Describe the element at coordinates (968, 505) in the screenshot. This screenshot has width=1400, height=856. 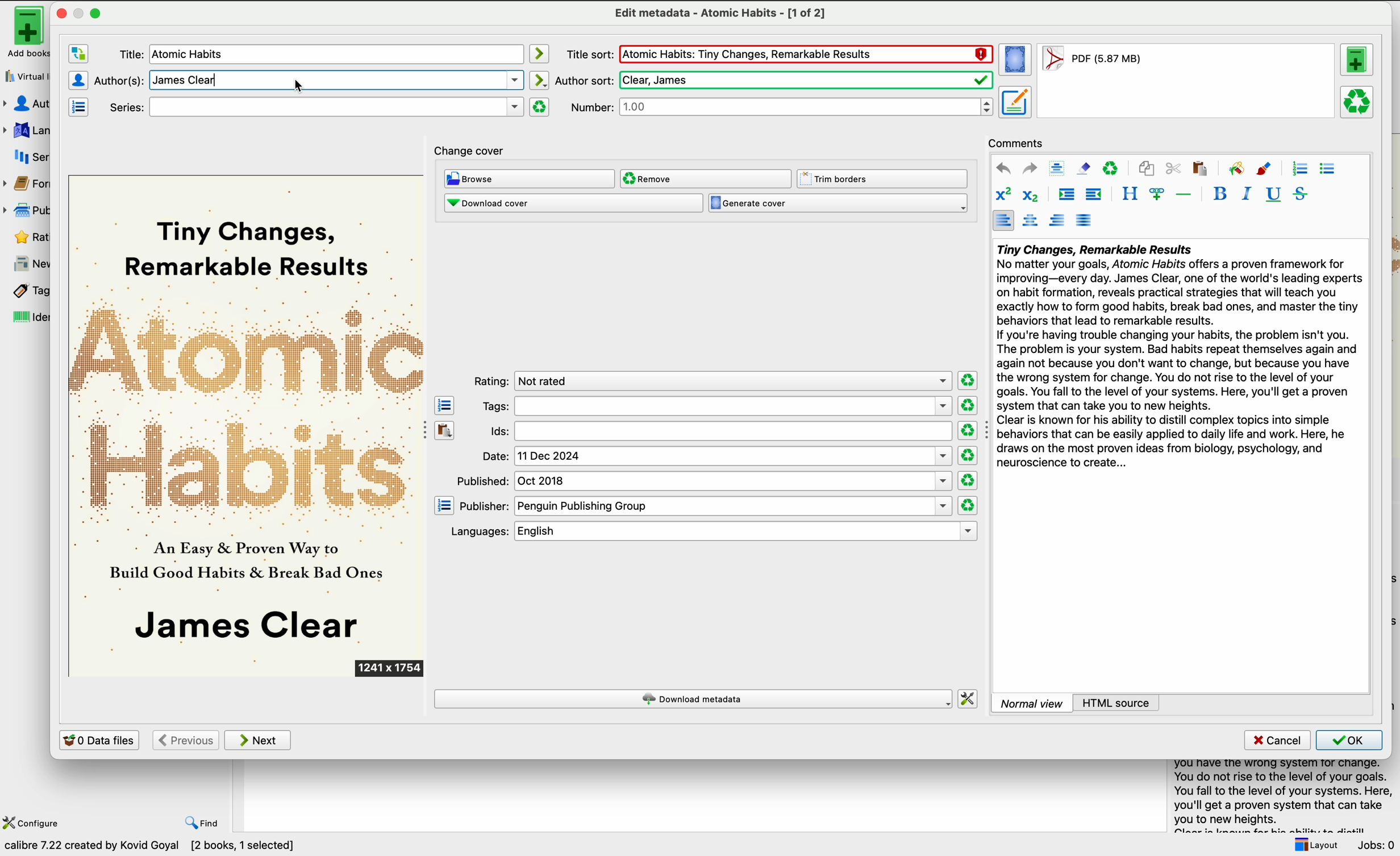
I see `clear rating` at that location.